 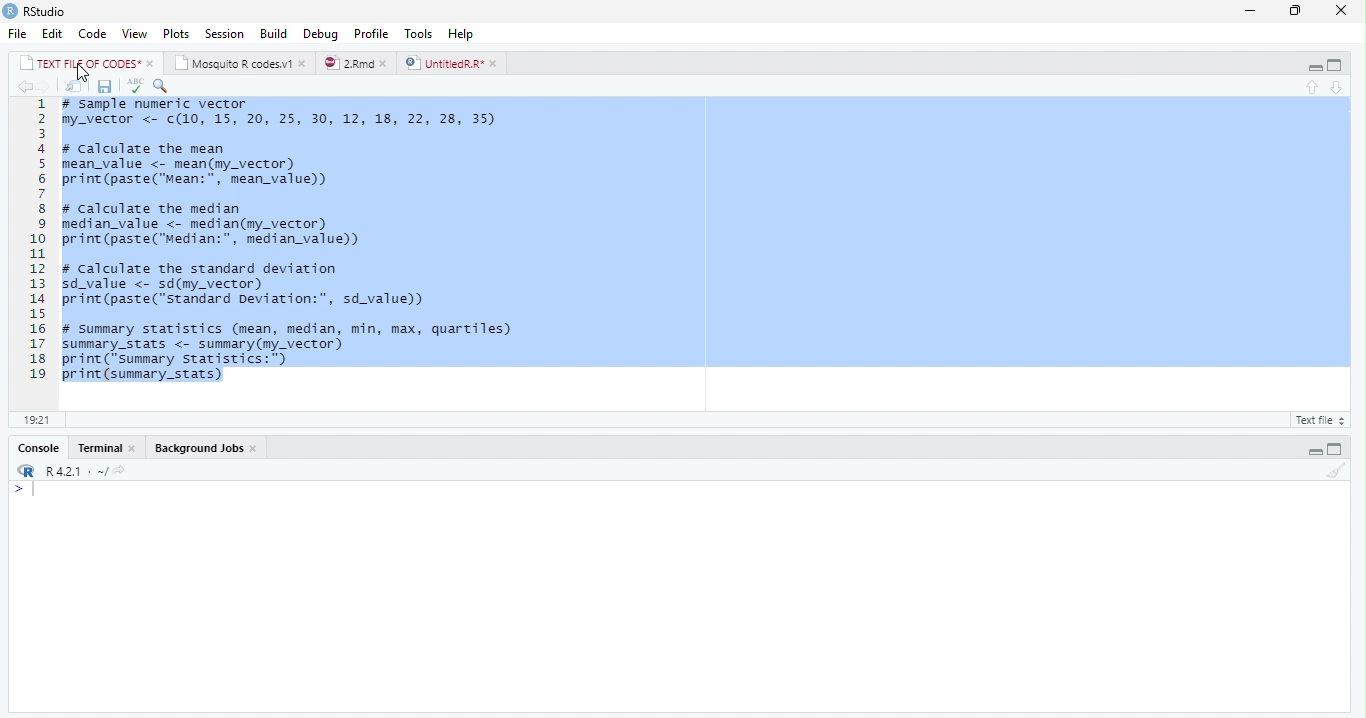 What do you see at coordinates (93, 33) in the screenshot?
I see `code` at bounding box center [93, 33].